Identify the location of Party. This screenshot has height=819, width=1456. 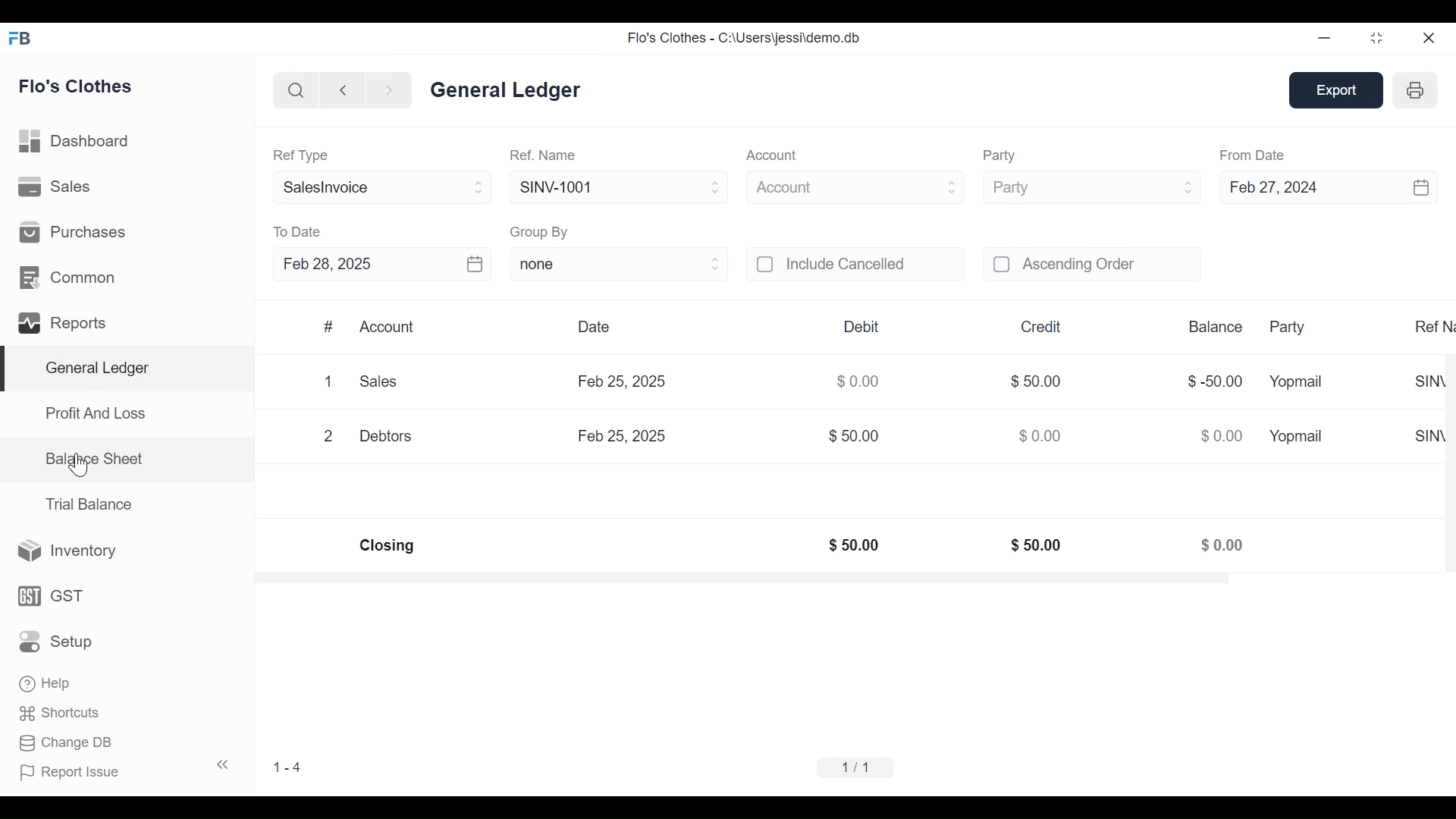
(999, 155).